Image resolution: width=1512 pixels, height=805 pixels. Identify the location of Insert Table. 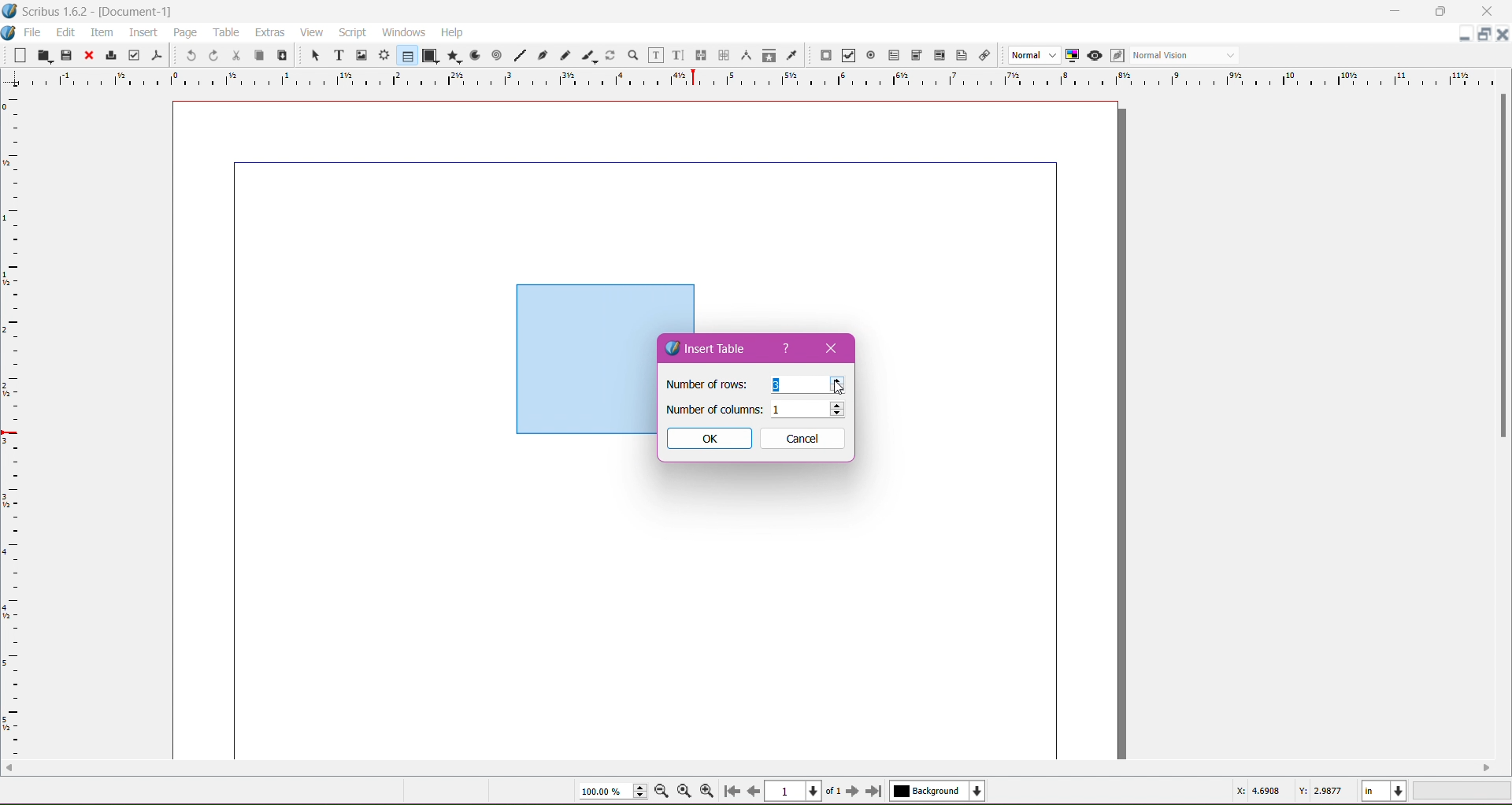
(708, 348).